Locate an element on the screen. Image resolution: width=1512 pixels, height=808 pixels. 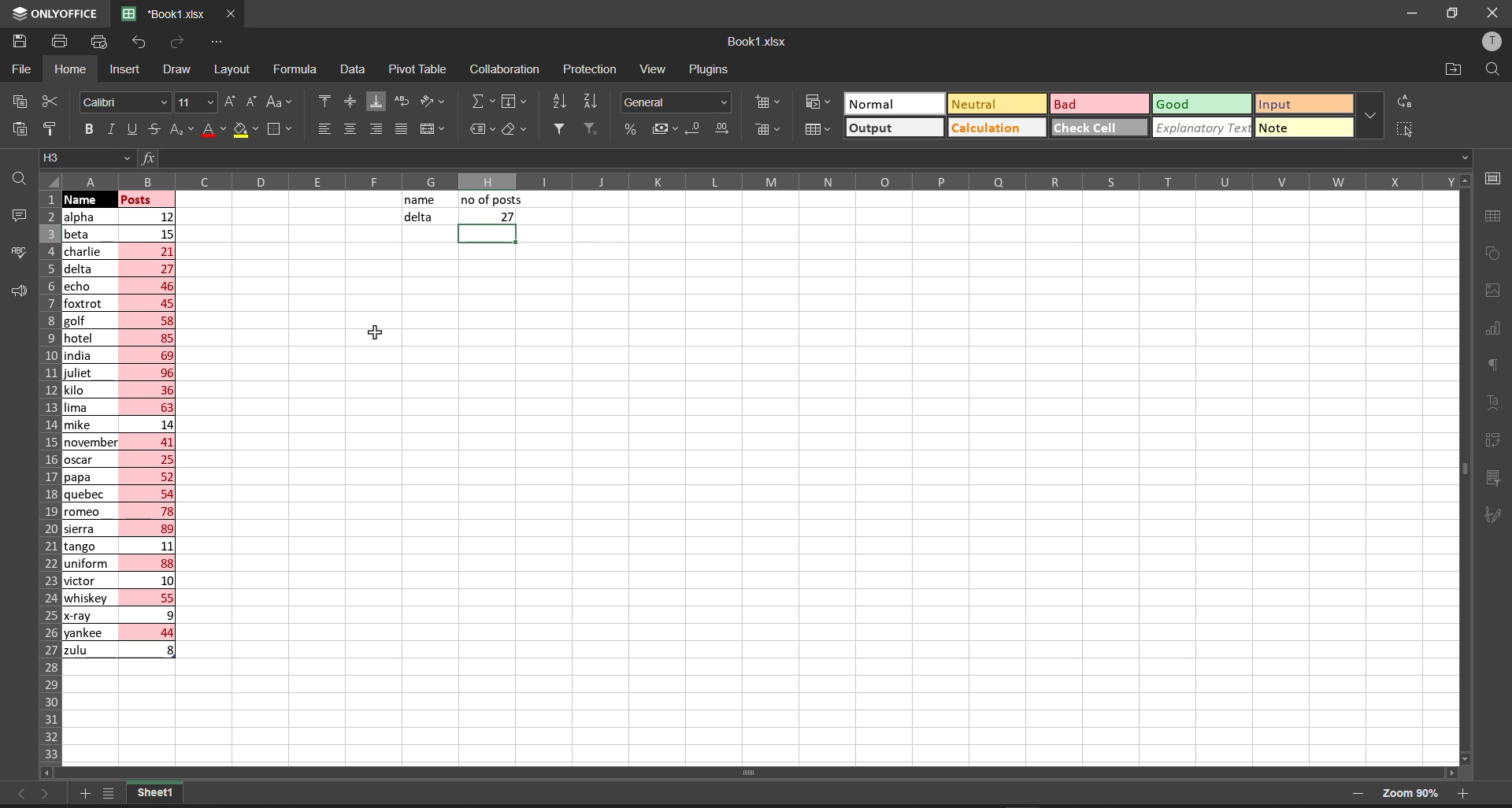
summation is located at coordinates (480, 102).